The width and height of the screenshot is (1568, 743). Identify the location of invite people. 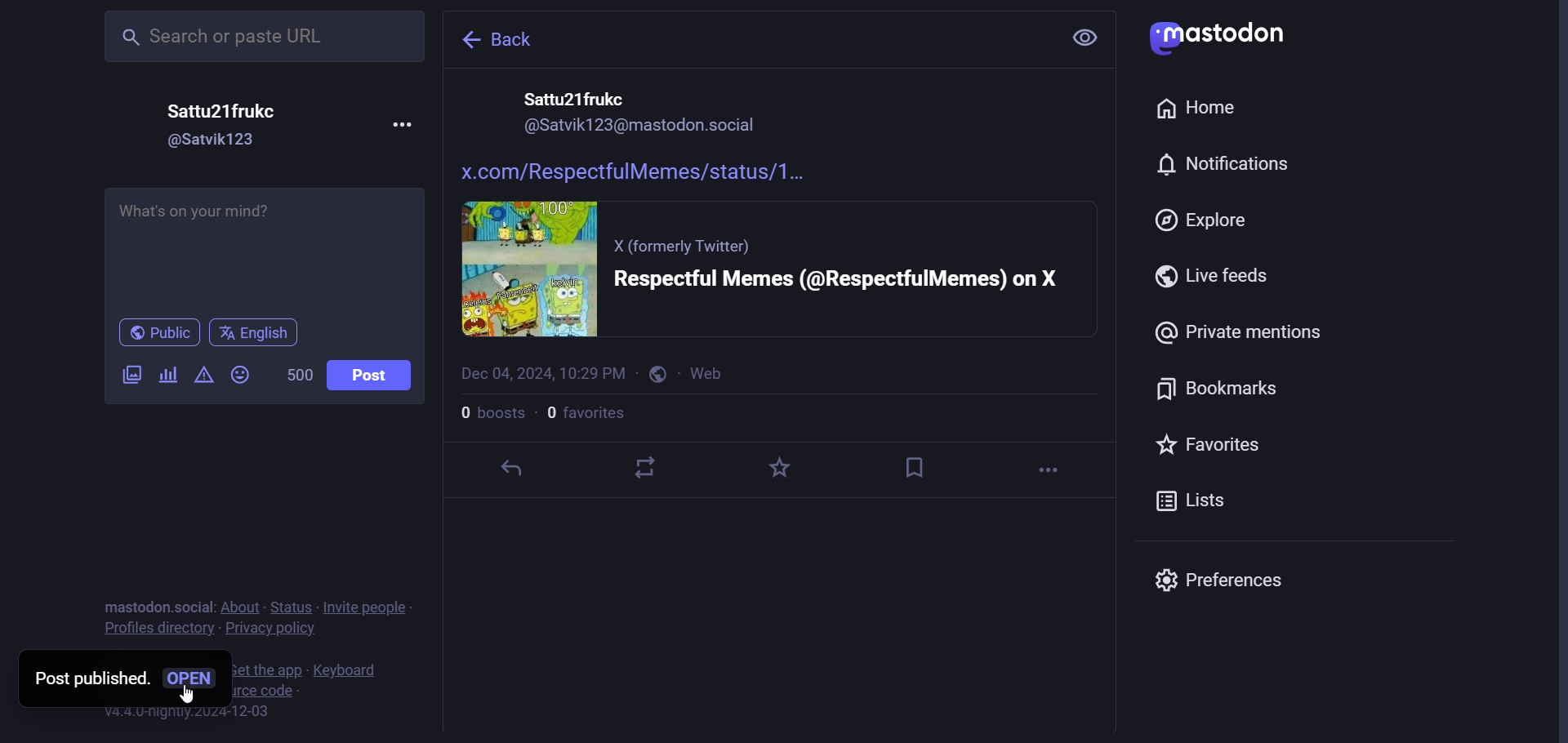
(369, 607).